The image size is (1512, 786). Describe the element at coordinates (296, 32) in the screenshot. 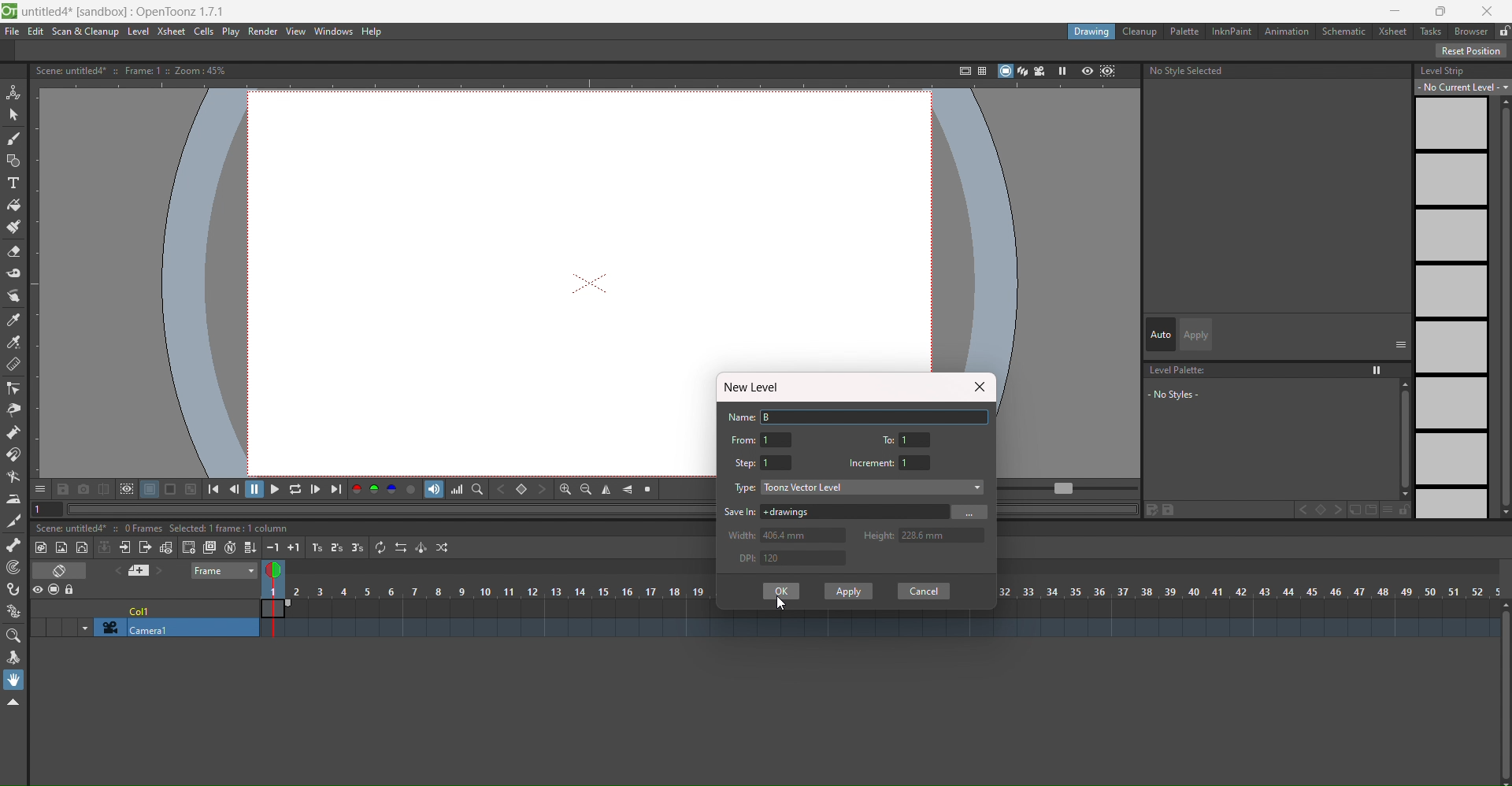

I see `view` at that location.